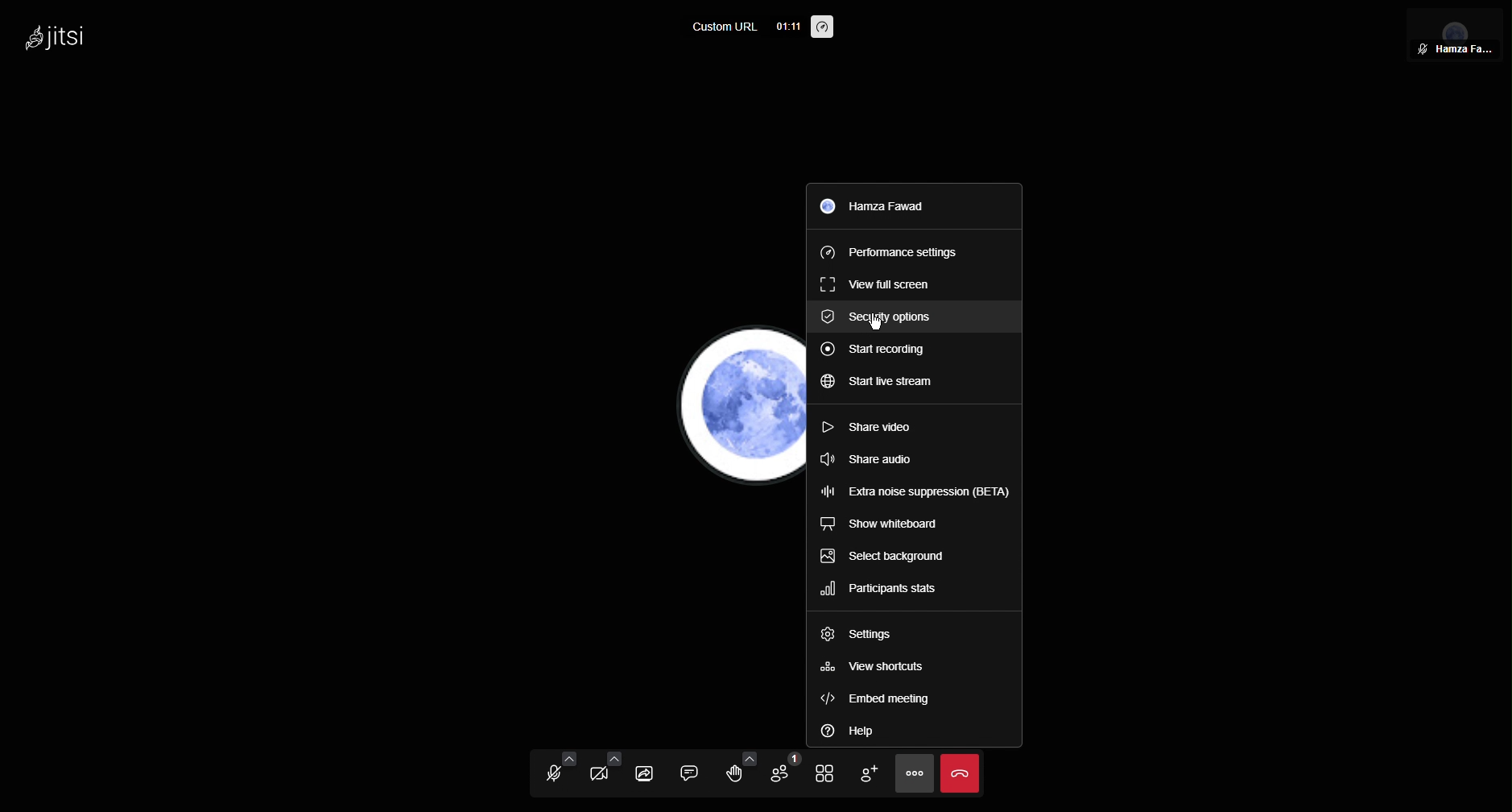  Describe the element at coordinates (696, 773) in the screenshot. I see `Chat` at that location.